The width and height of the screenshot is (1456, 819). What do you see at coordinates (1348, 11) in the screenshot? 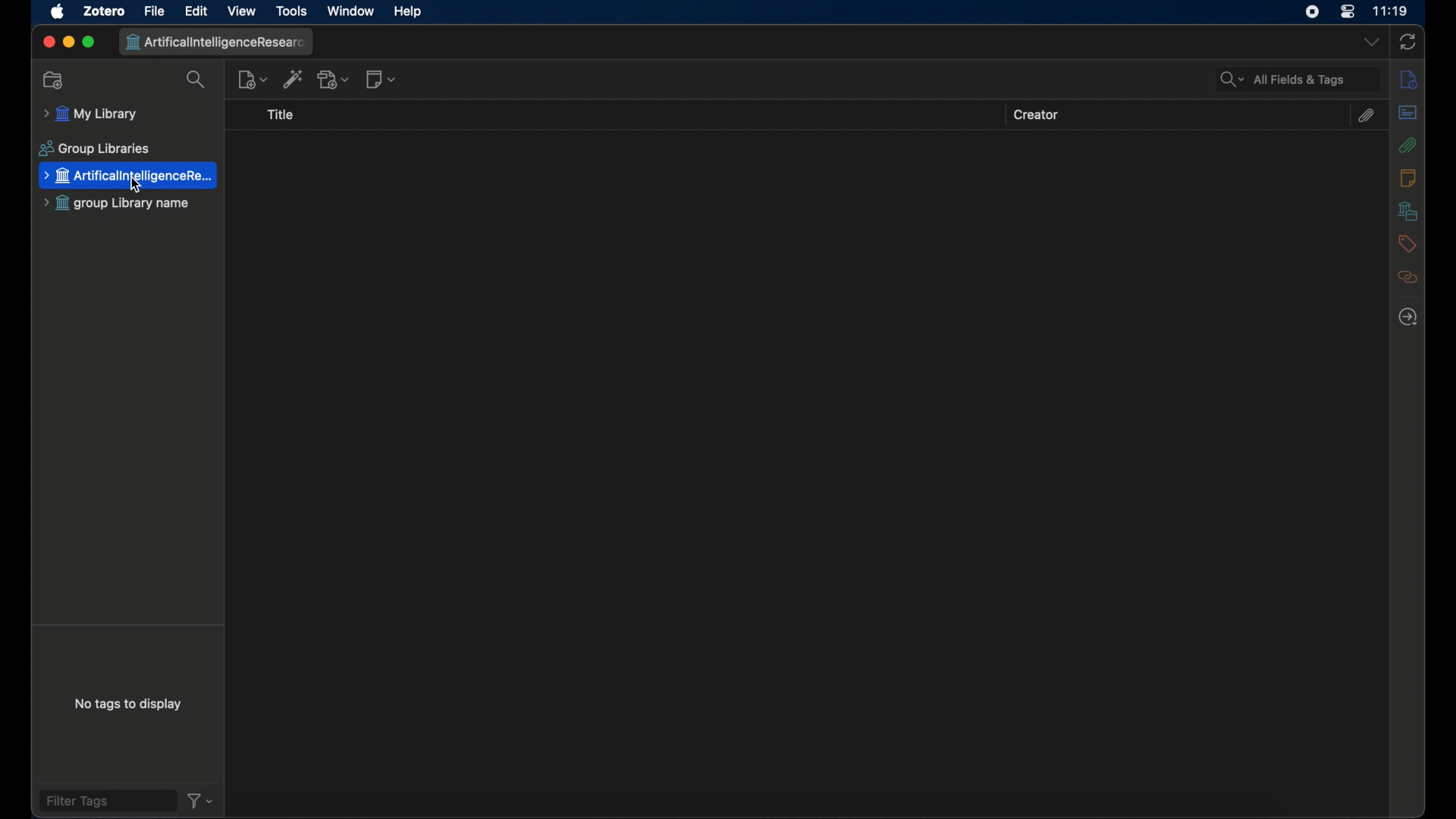
I see `control center` at bounding box center [1348, 11].